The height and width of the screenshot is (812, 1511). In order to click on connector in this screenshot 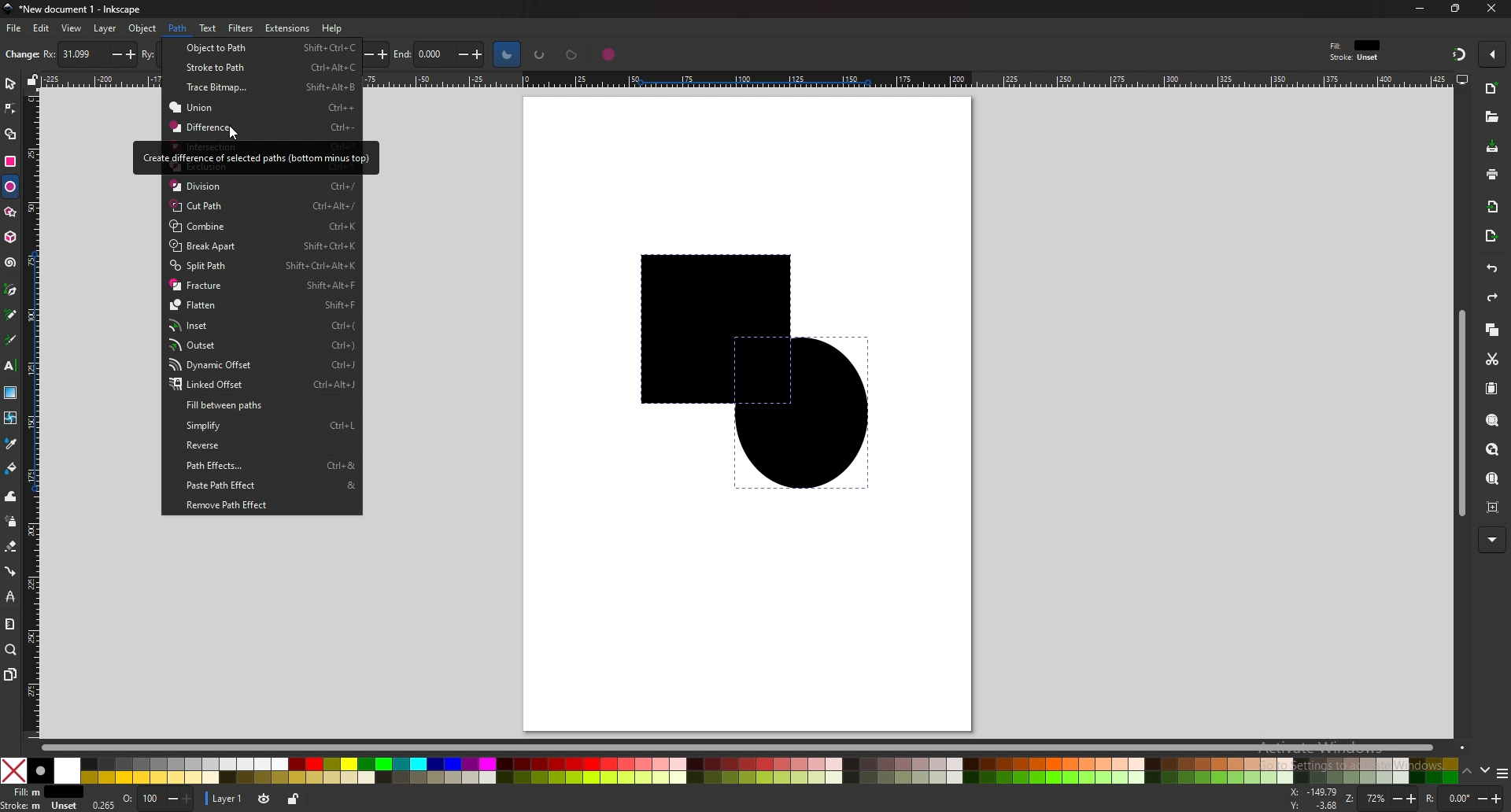, I will do `click(12, 570)`.